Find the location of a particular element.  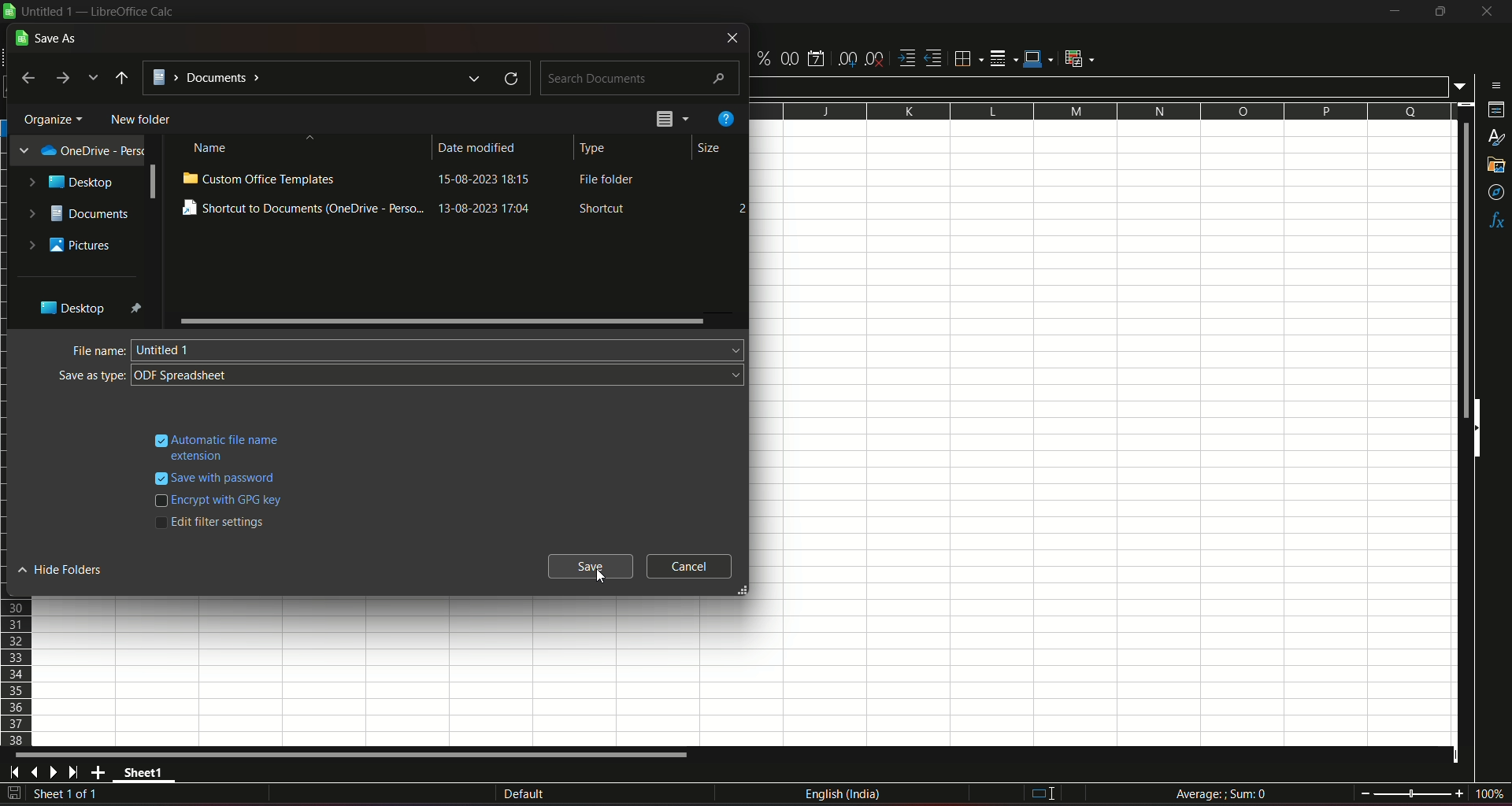

cancel is located at coordinates (688, 566).